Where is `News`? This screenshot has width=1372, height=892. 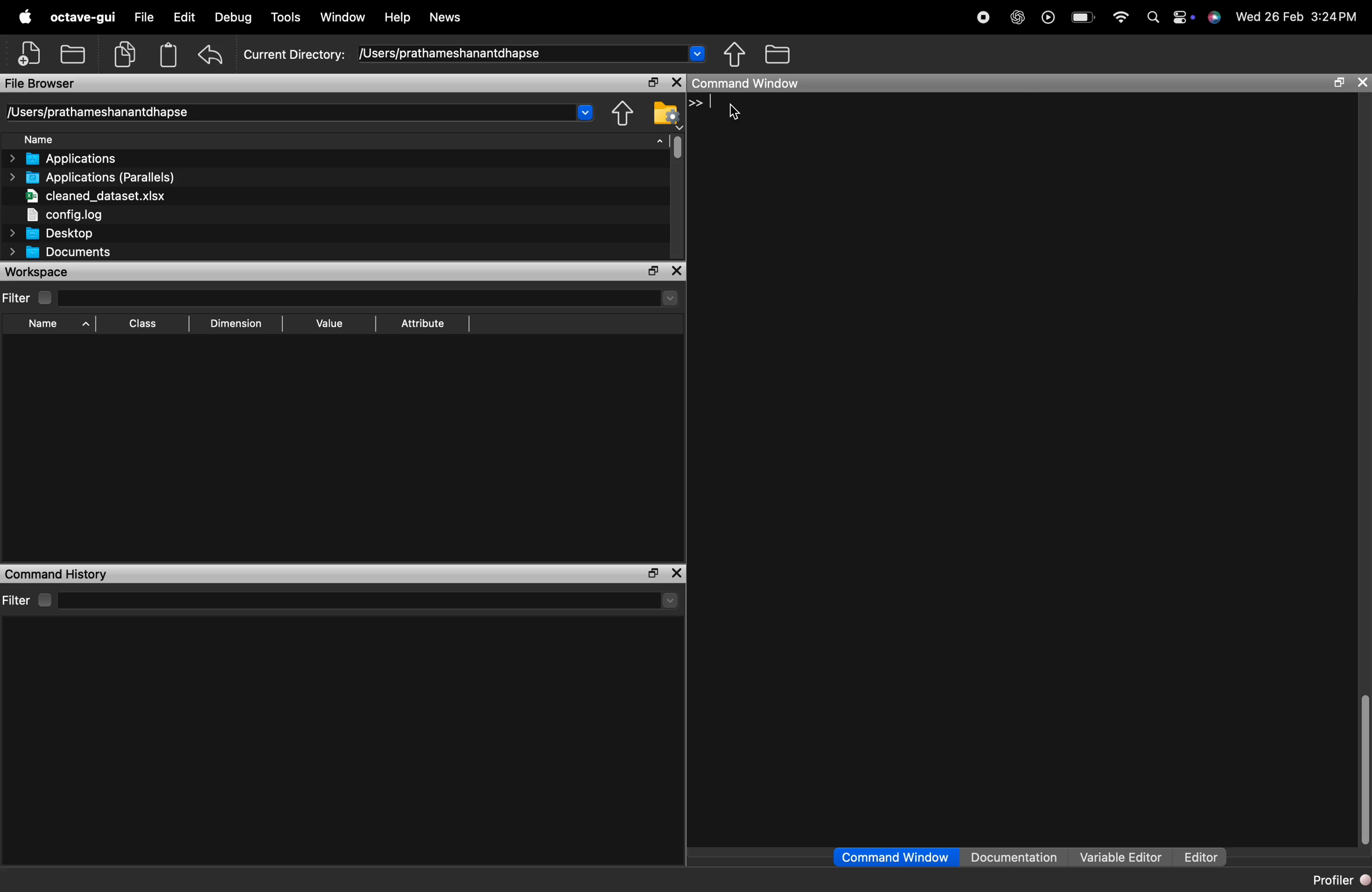 News is located at coordinates (446, 18).